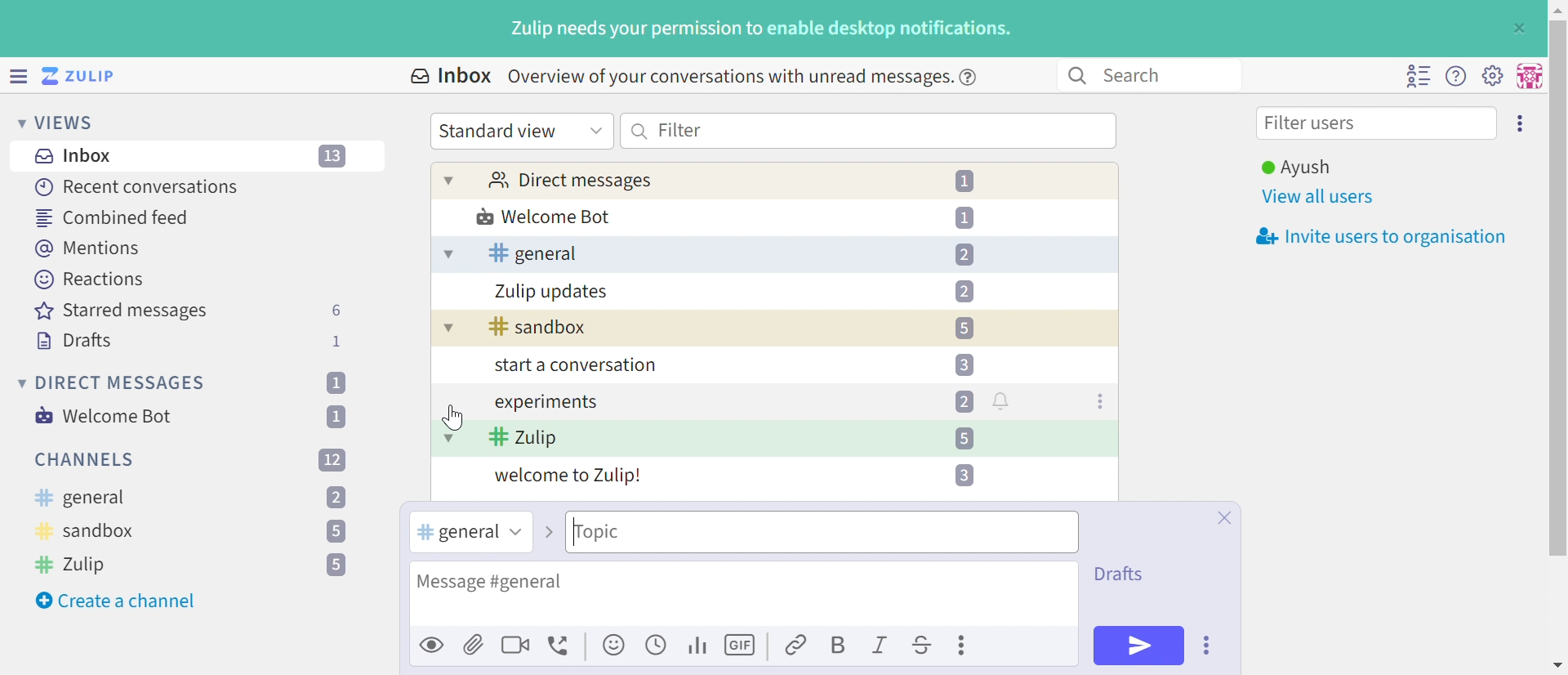  Describe the element at coordinates (680, 129) in the screenshot. I see `Filter` at that location.